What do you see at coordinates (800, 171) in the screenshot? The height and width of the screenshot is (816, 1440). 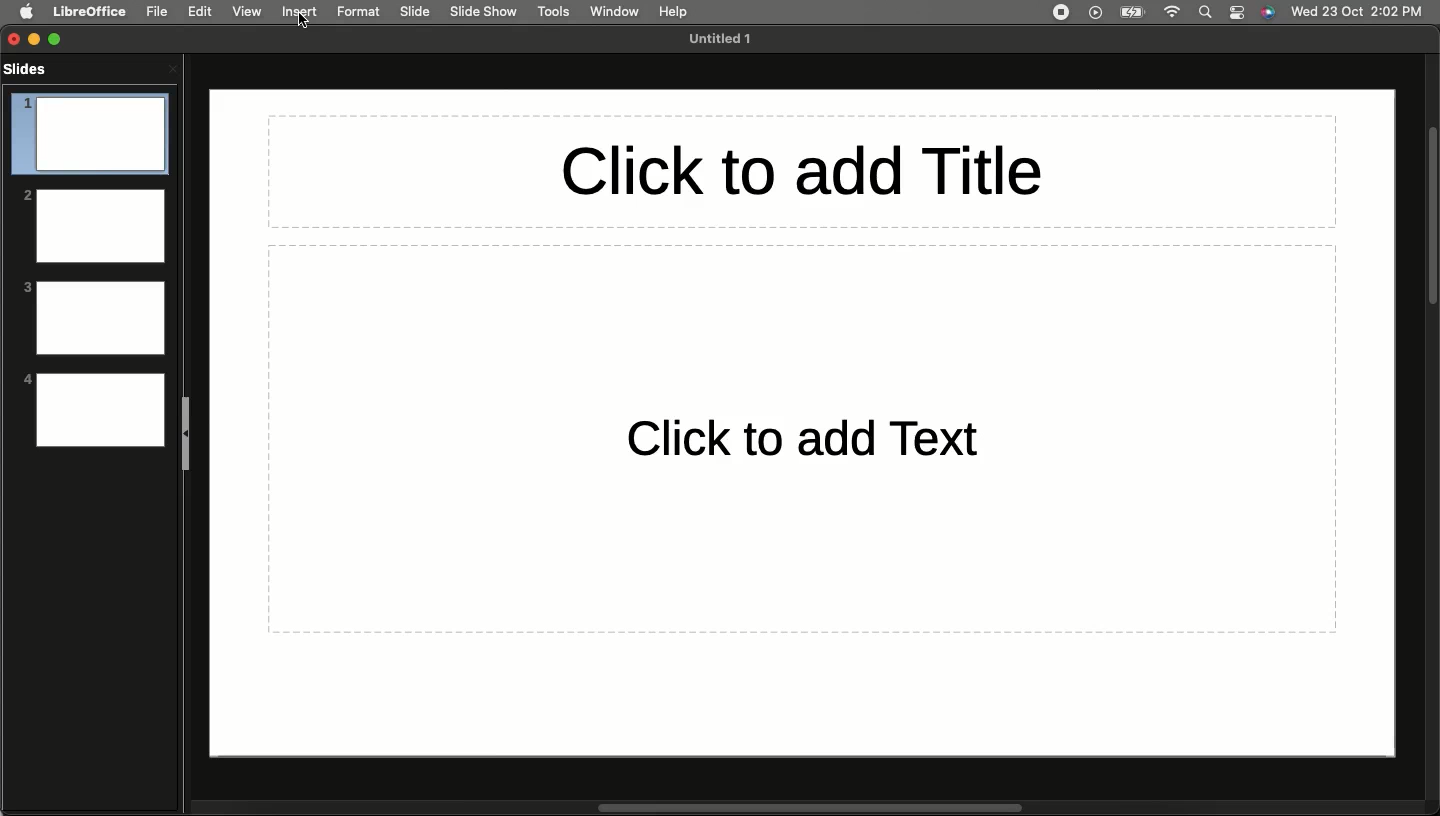 I see `Click to add title` at bounding box center [800, 171].